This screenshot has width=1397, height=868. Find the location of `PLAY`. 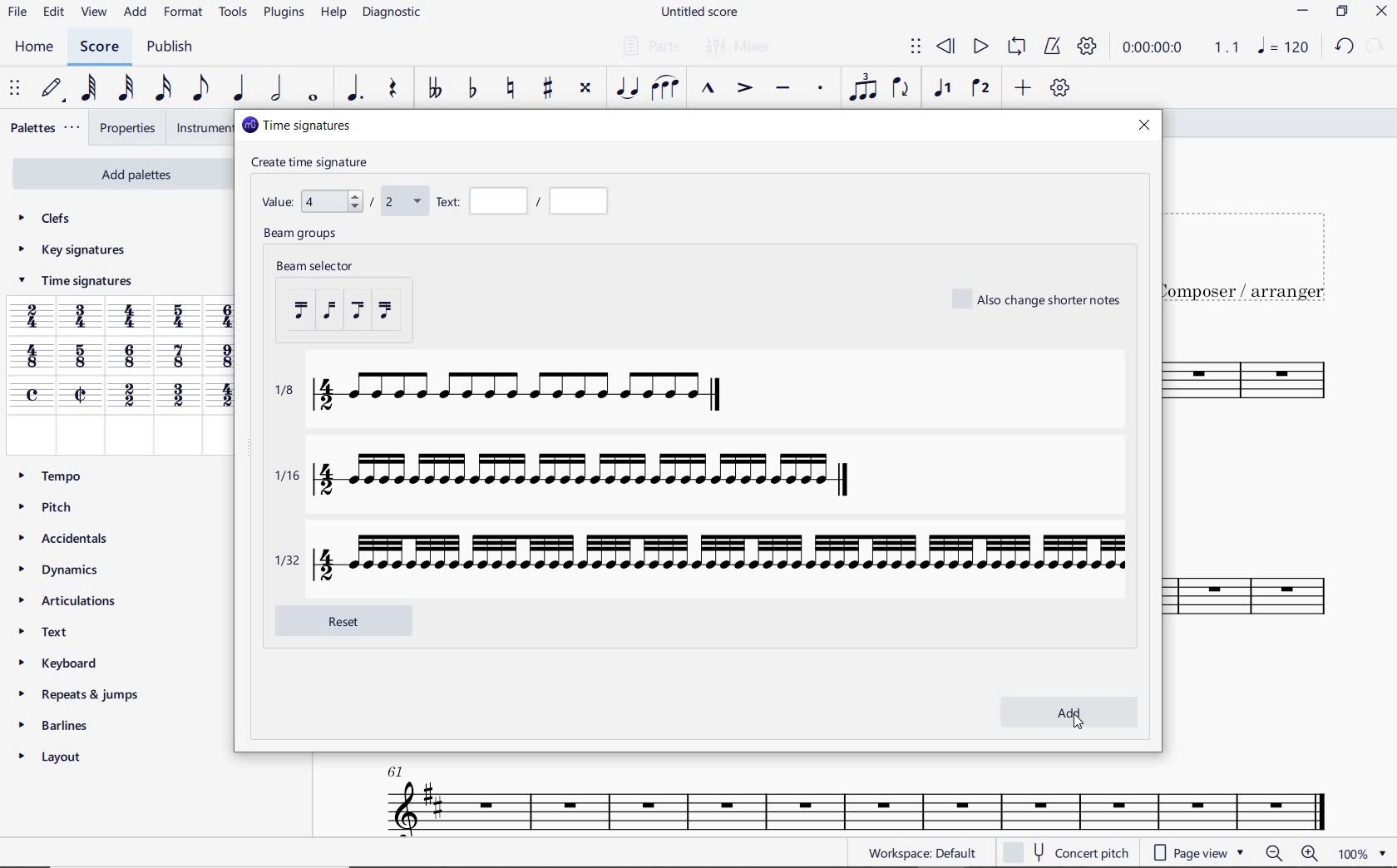

PLAY is located at coordinates (980, 45).